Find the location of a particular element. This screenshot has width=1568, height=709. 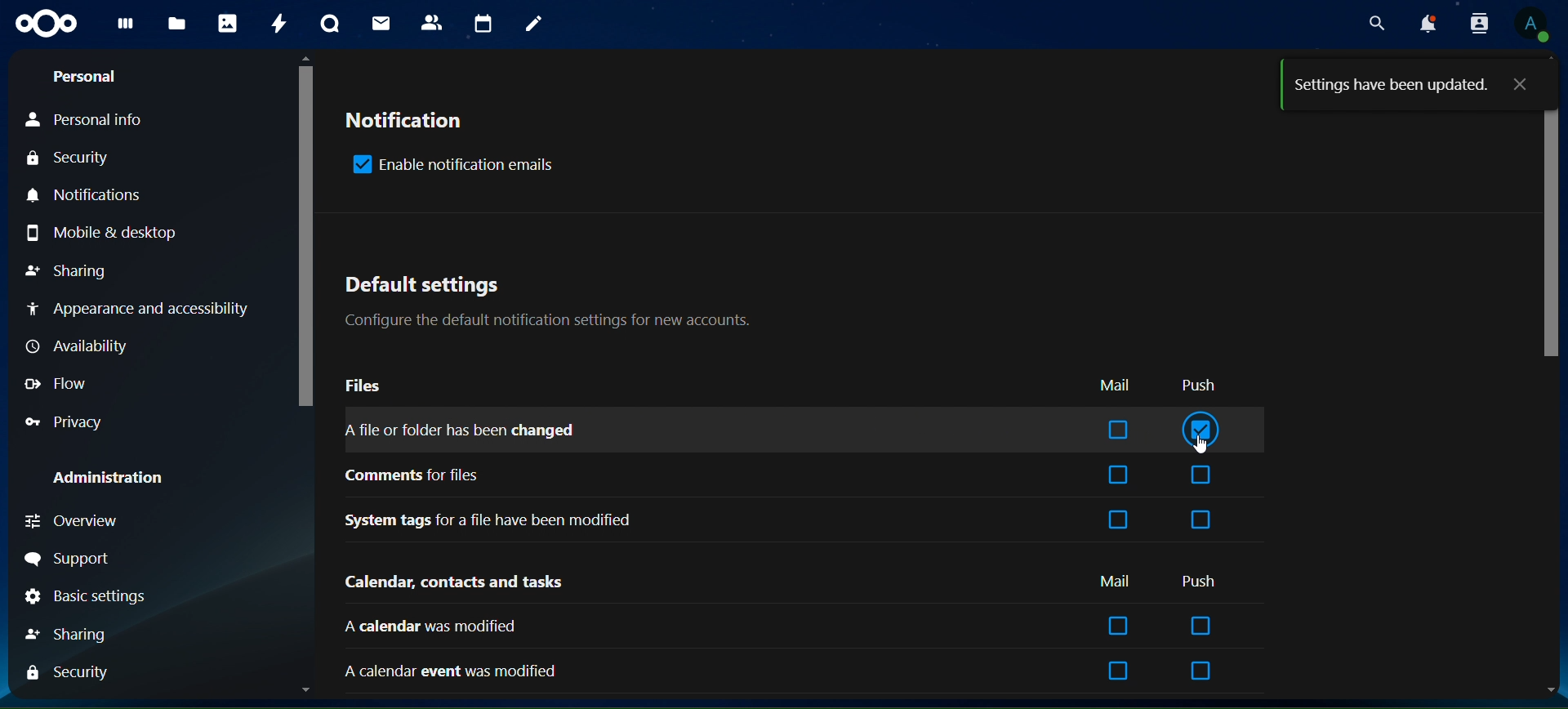

box is located at coordinates (1200, 519).